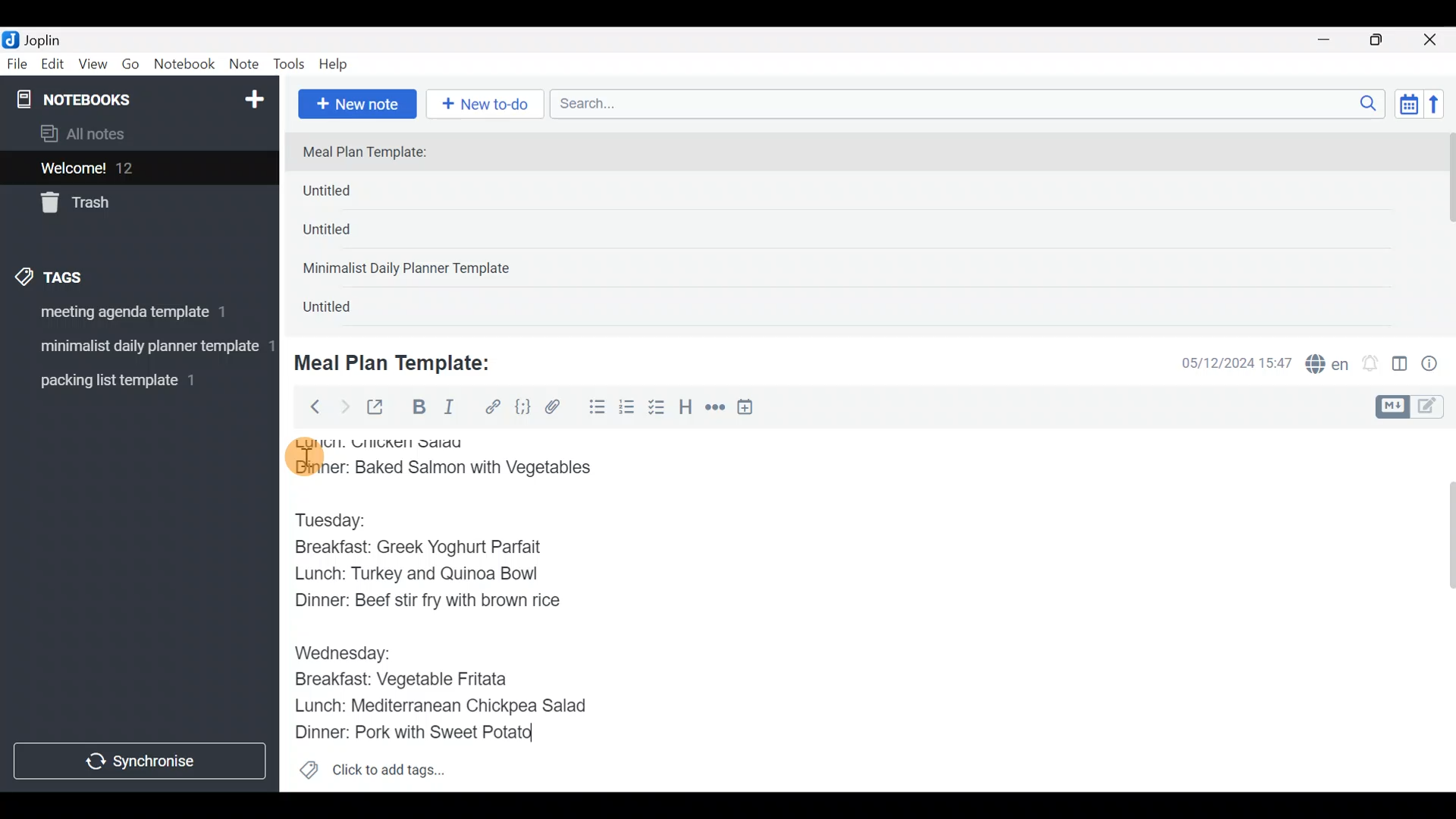 This screenshot has width=1456, height=819. Describe the element at coordinates (426, 604) in the screenshot. I see `Dinner: Beef stir fry with brown rice` at that location.